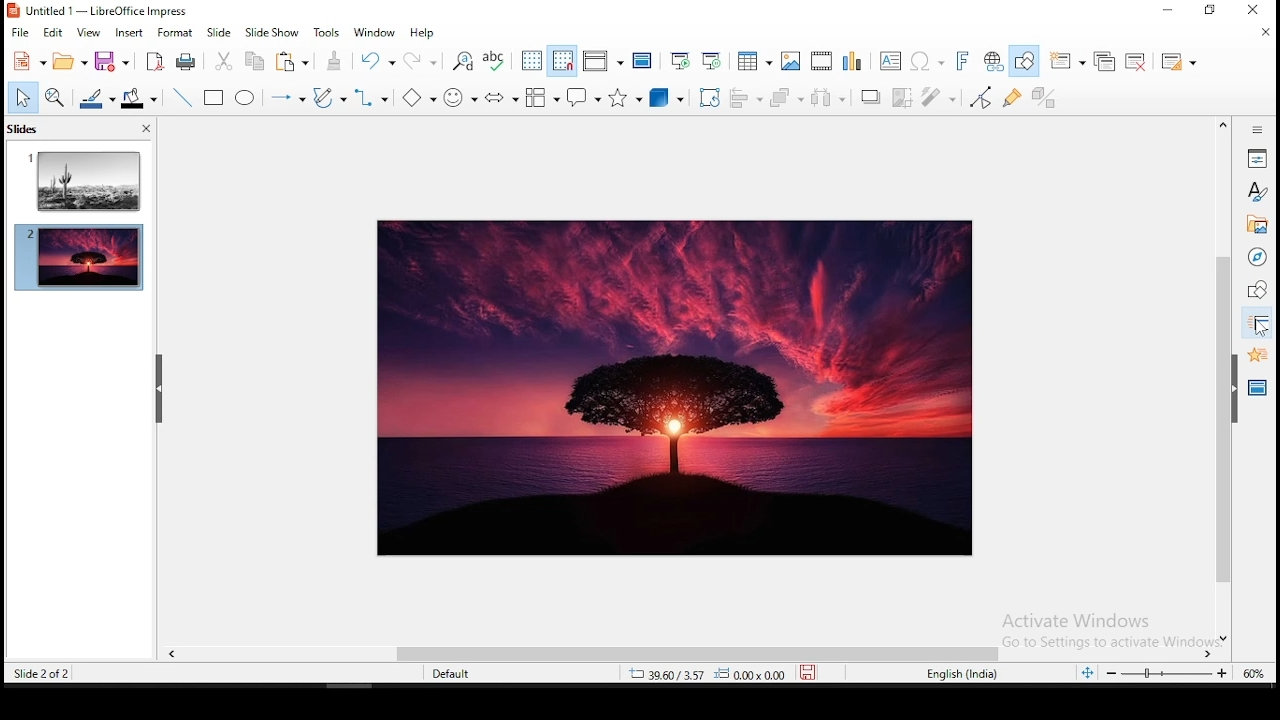  What do you see at coordinates (627, 97) in the screenshot?
I see `stars and banners` at bounding box center [627, 97].